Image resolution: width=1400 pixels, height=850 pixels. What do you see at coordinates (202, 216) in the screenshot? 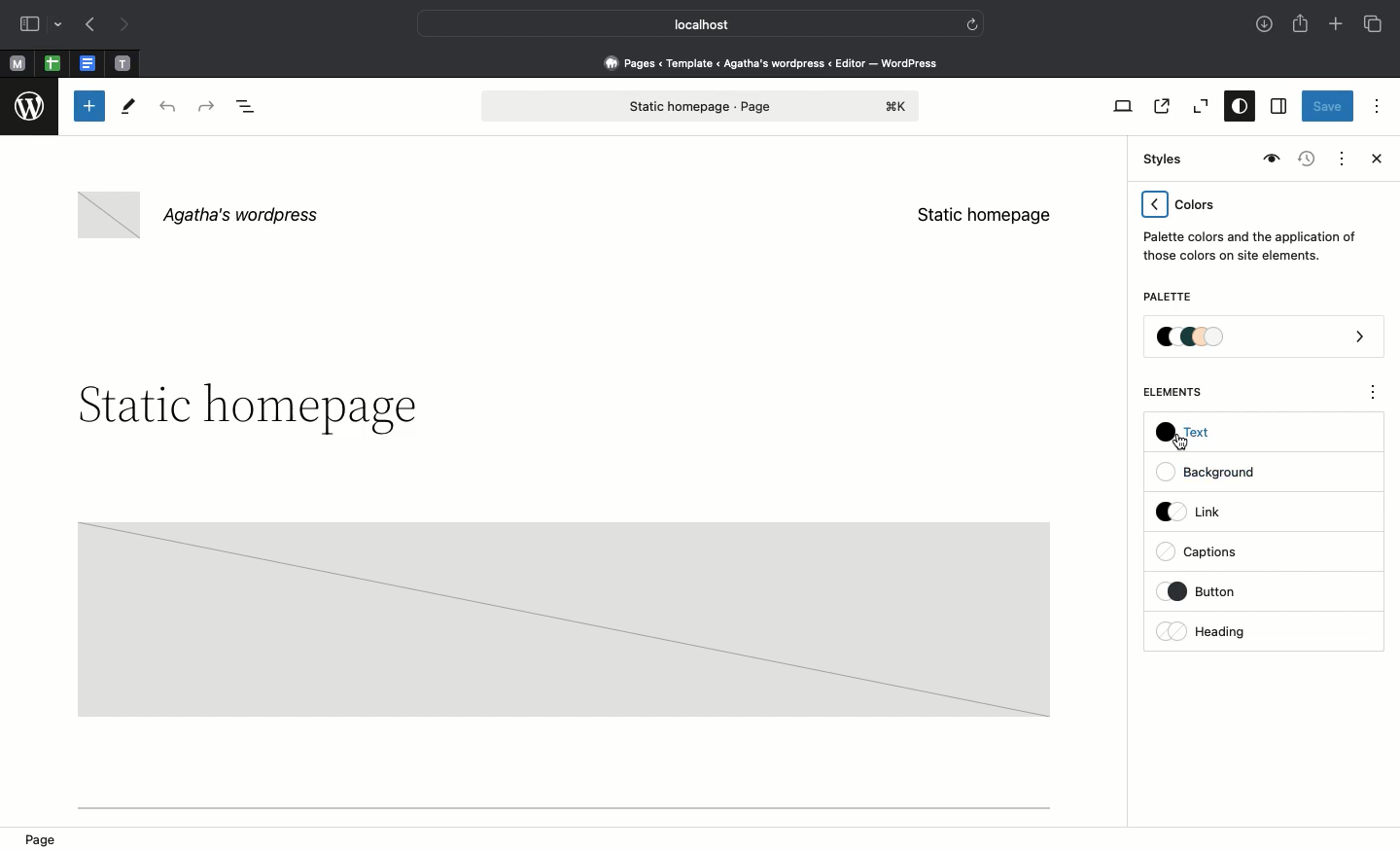
I see `Wordpress name` at bounding box center [202, 216].